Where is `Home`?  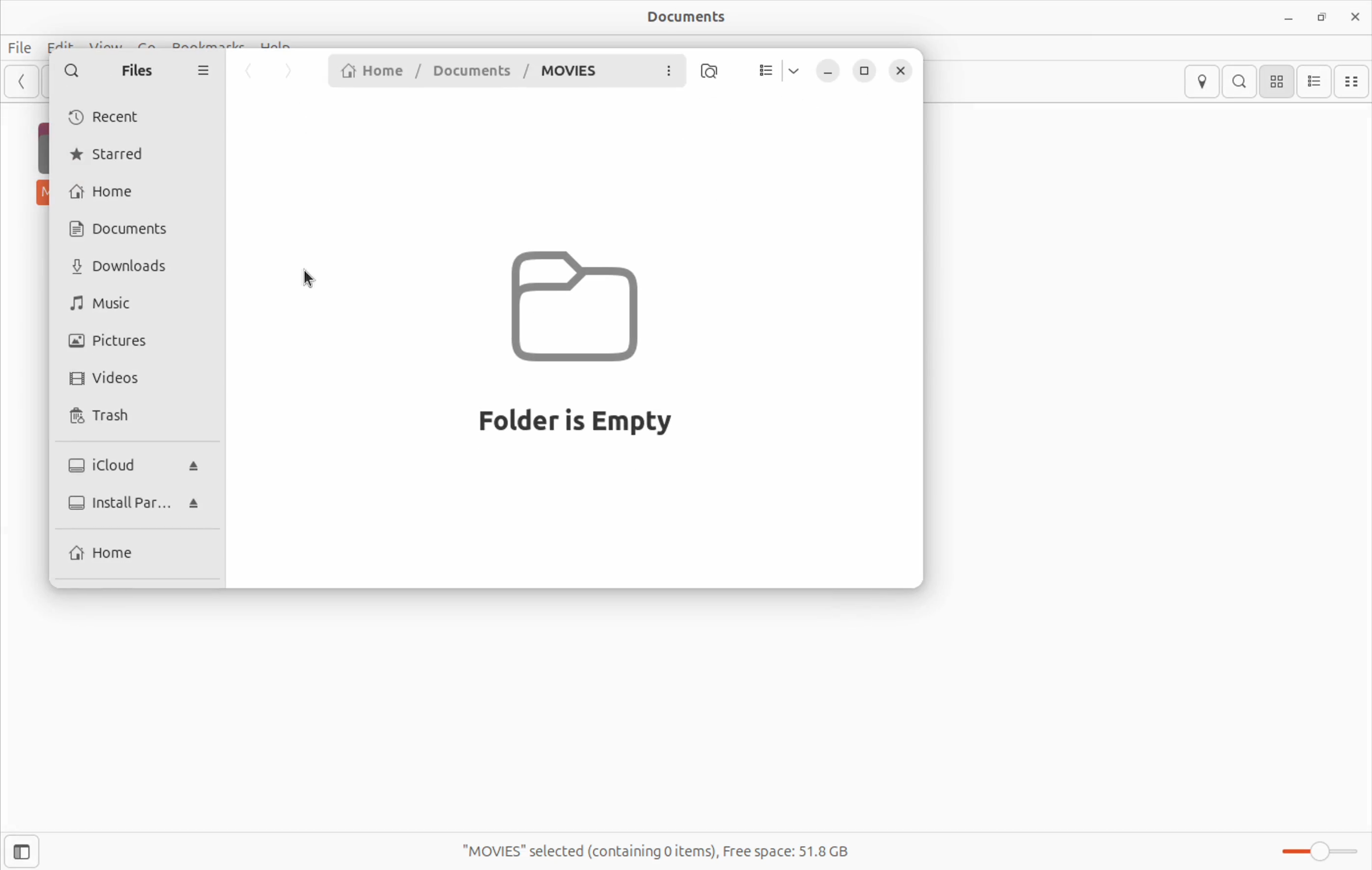
Home is located at coordinates (108, 553).